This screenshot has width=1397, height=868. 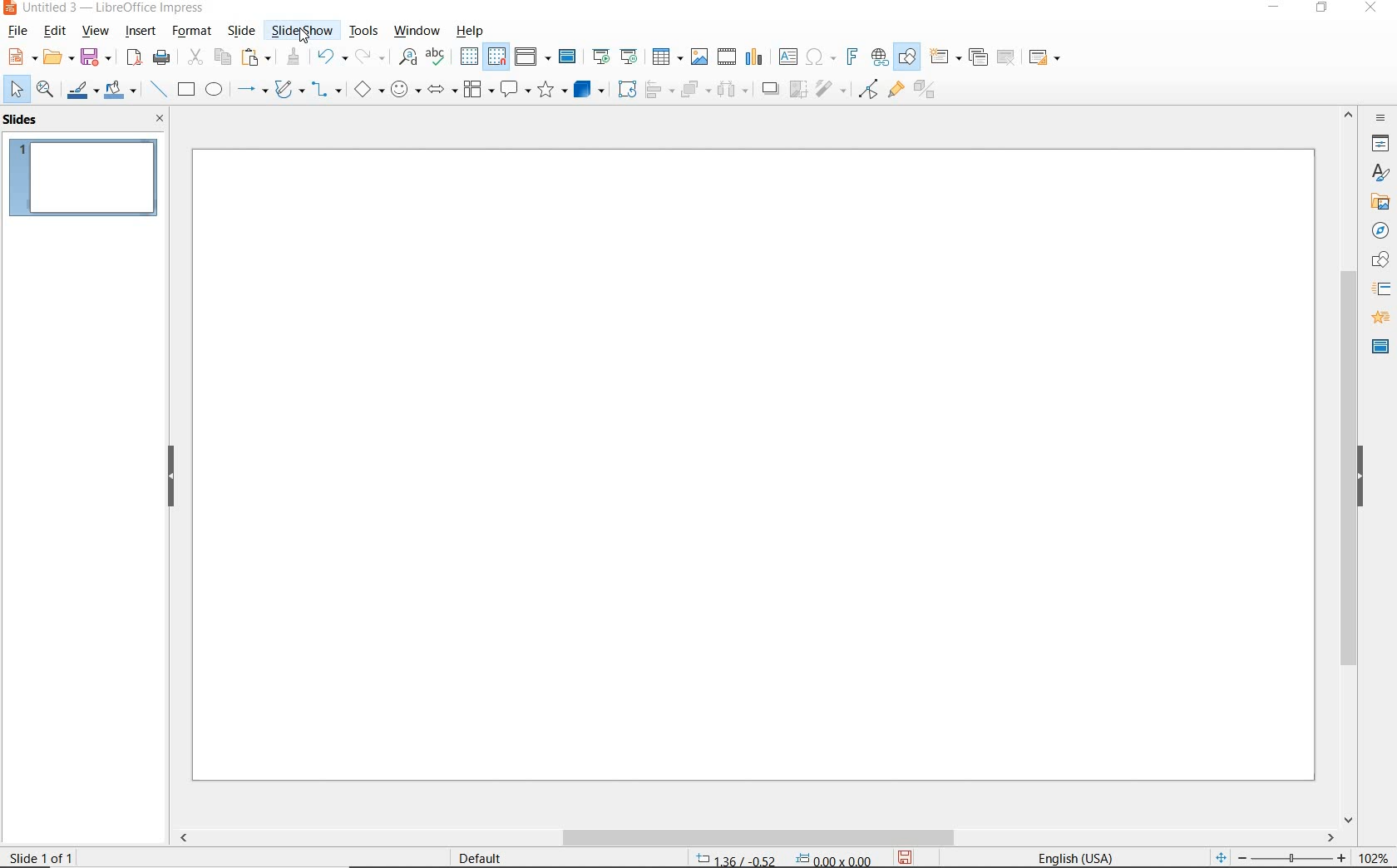 I want to click on SHADOW, so click(x=769, y=89).